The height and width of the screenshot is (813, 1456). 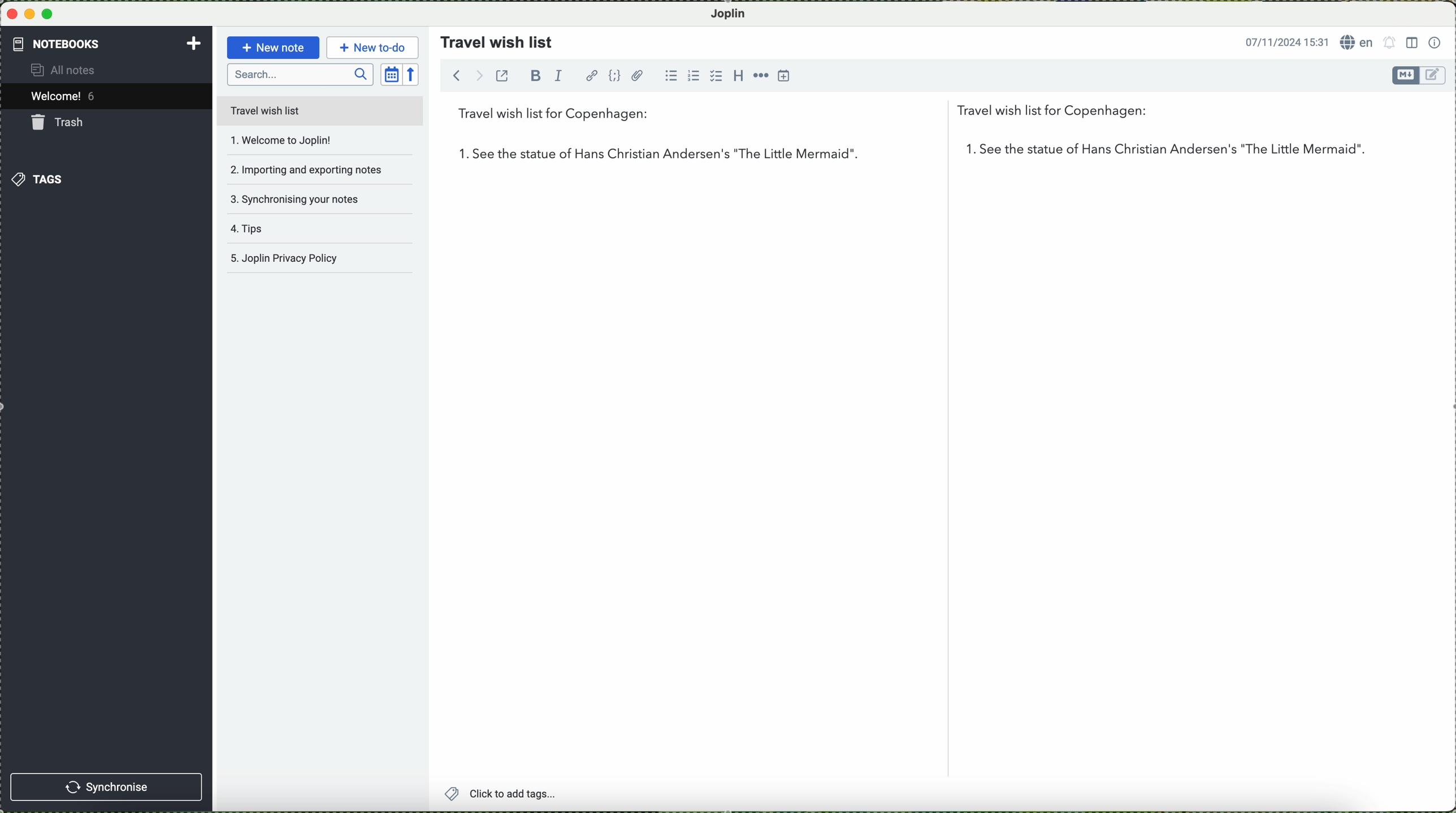 What do you see at coordinates (505, 80) in the screenshot?
I see `toggle external editing` at bounding box center [505, 80].